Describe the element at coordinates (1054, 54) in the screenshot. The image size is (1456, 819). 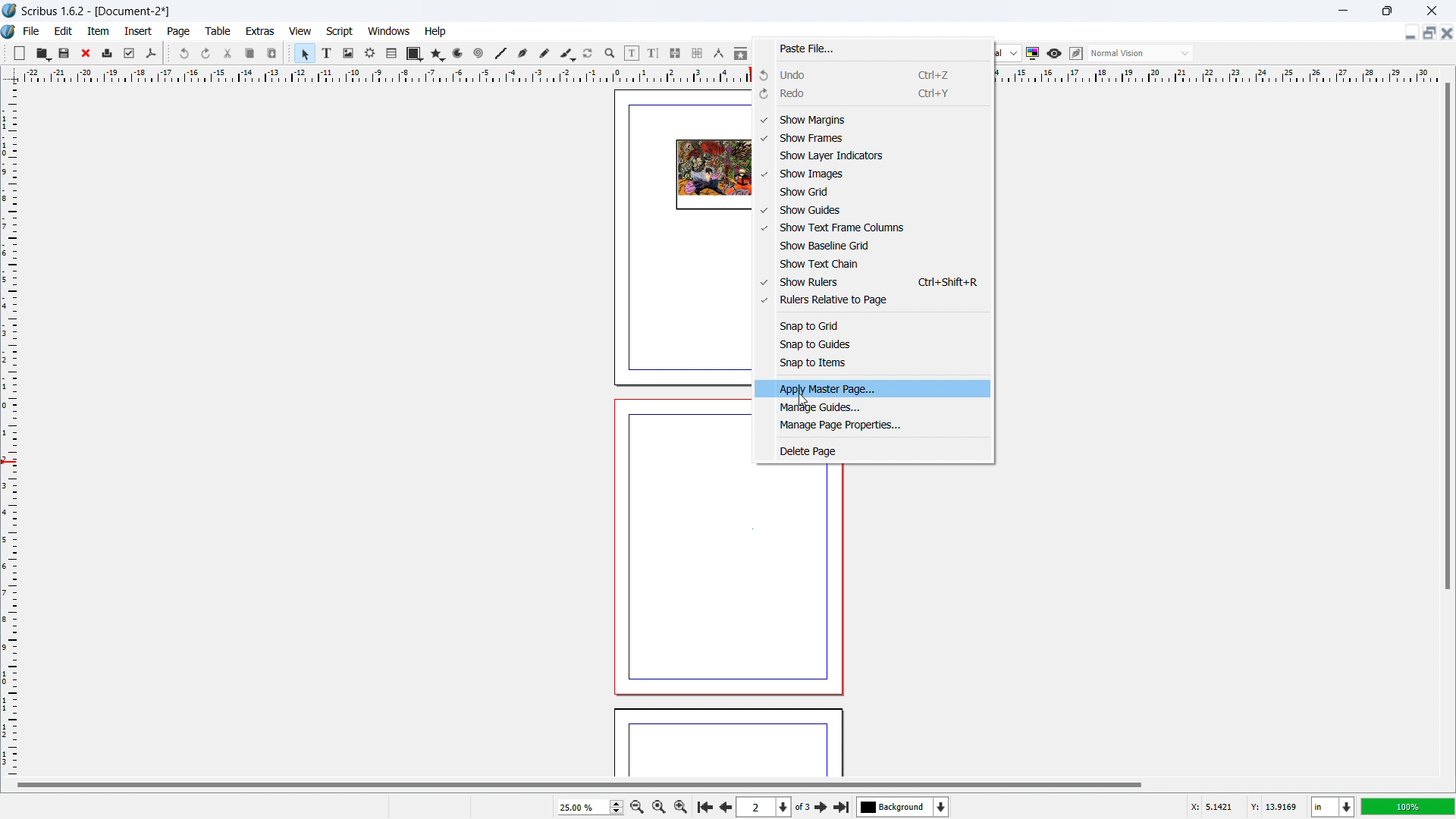
I see `preview mode` at that location.